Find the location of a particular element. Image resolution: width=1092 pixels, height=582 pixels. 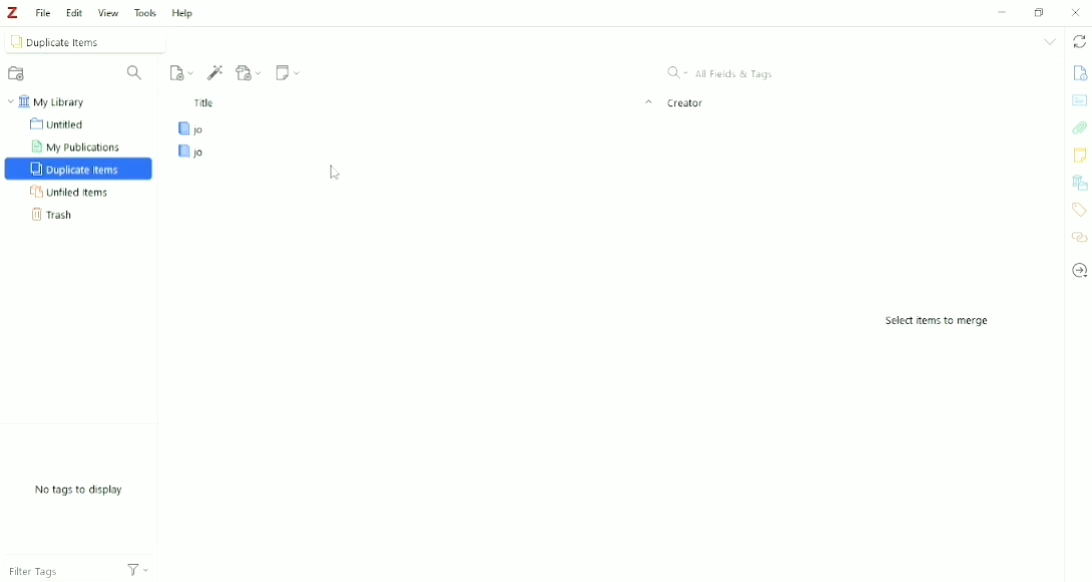

Tools is located at coordinates (145, 13).